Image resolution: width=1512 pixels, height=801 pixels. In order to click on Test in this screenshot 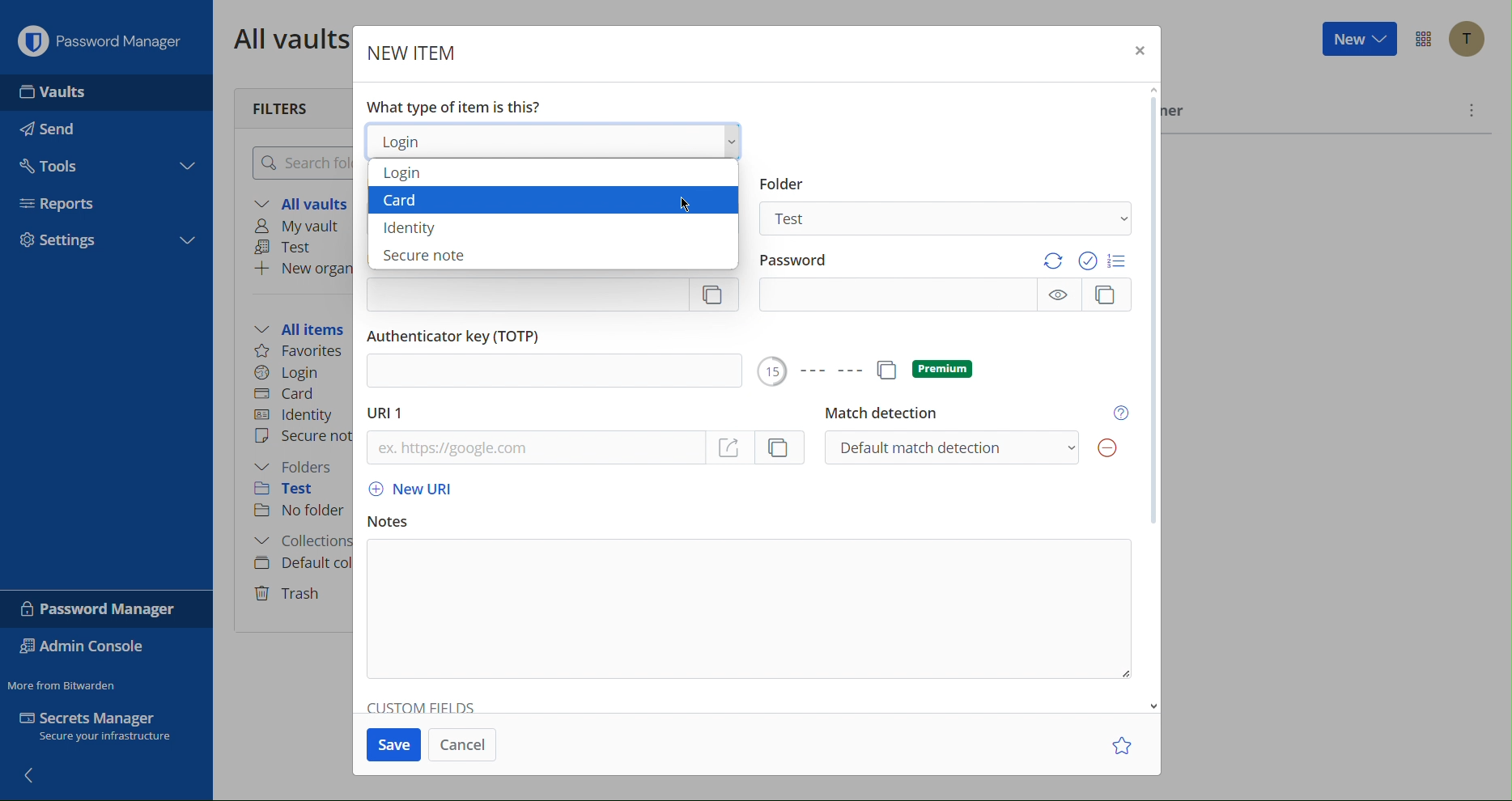, I will do `click(289, 489)`.